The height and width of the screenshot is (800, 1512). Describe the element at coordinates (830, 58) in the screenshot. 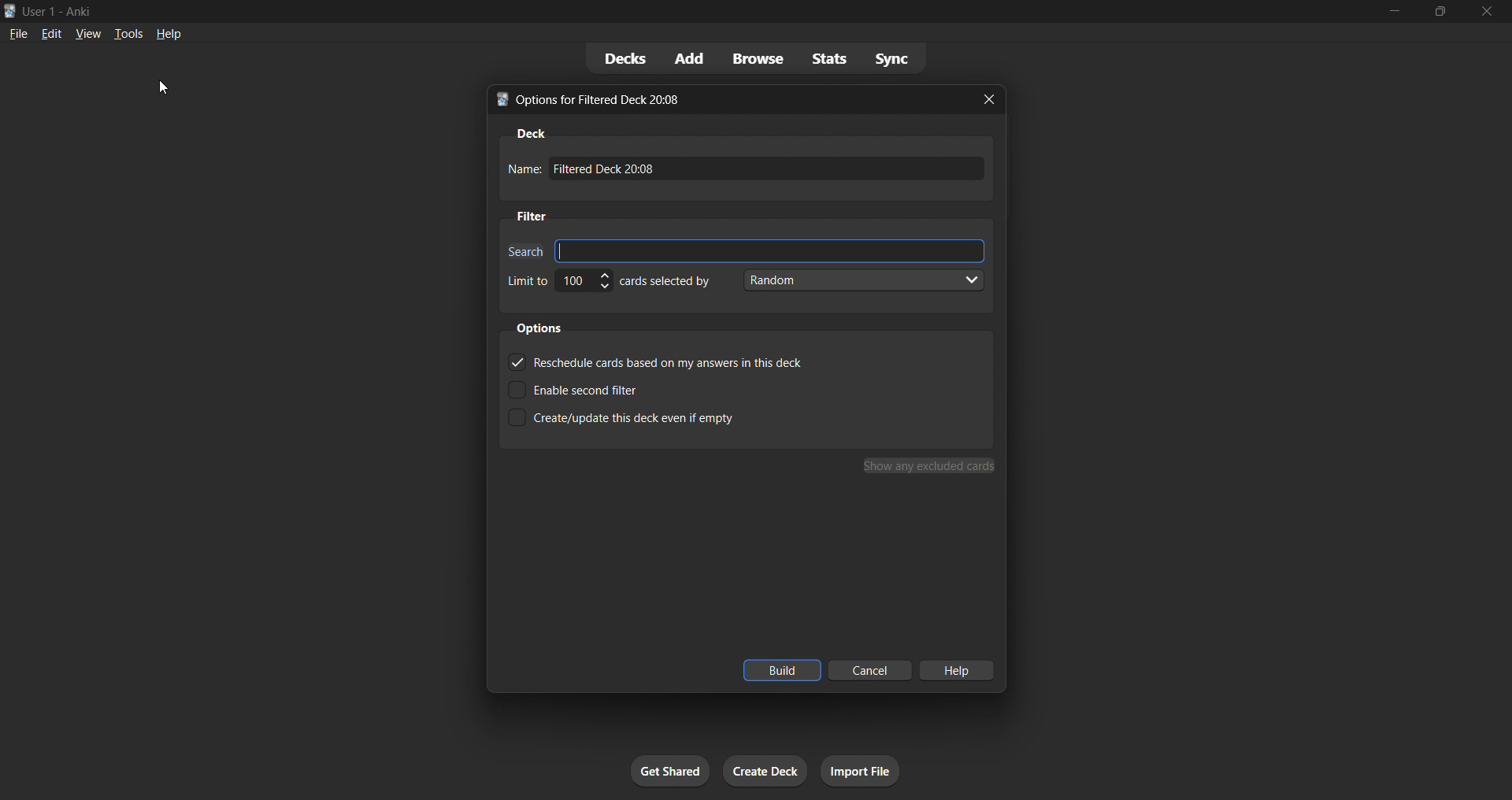

I see `stats` at that location.